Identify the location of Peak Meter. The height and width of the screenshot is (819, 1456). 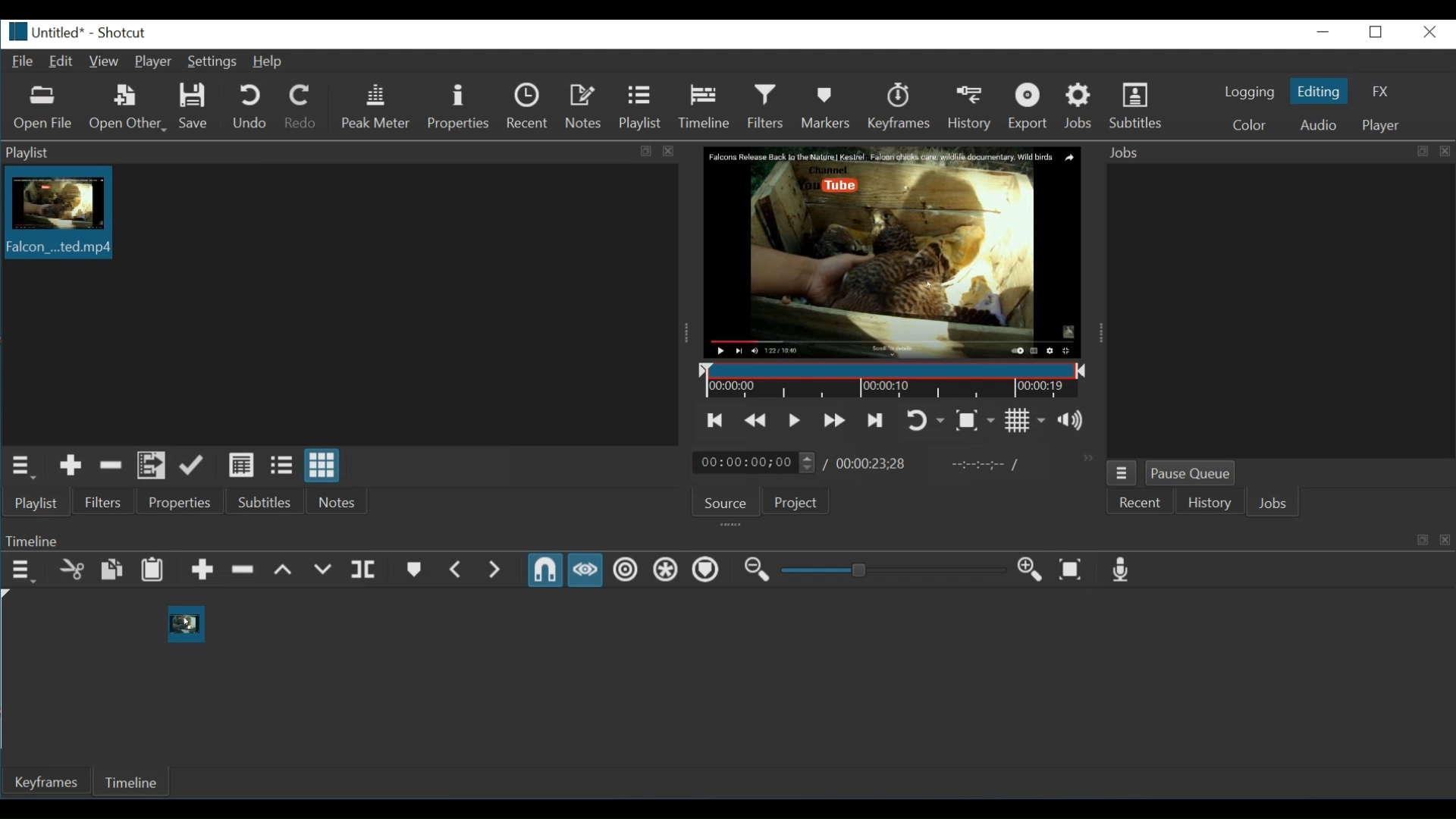
(378, 106).